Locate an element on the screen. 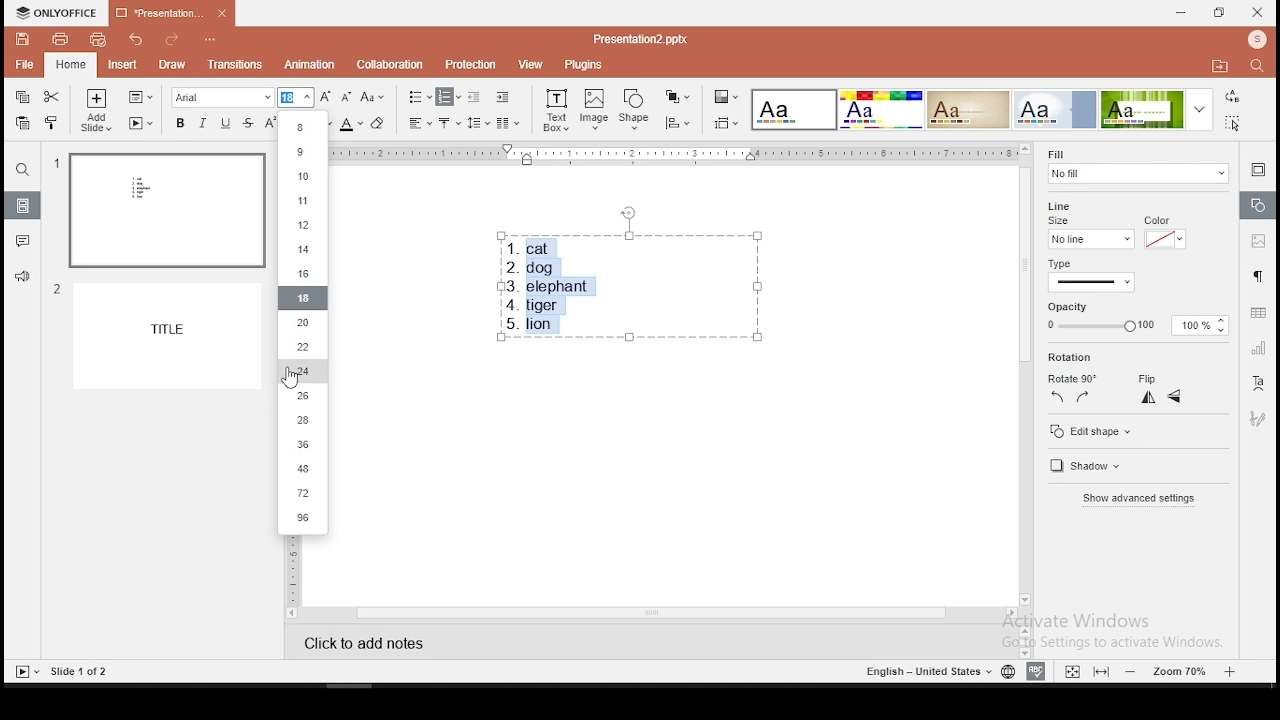 Image resolution: width=1280 pixels, height=720 pixels. columns is located at coordinates (506, 122).